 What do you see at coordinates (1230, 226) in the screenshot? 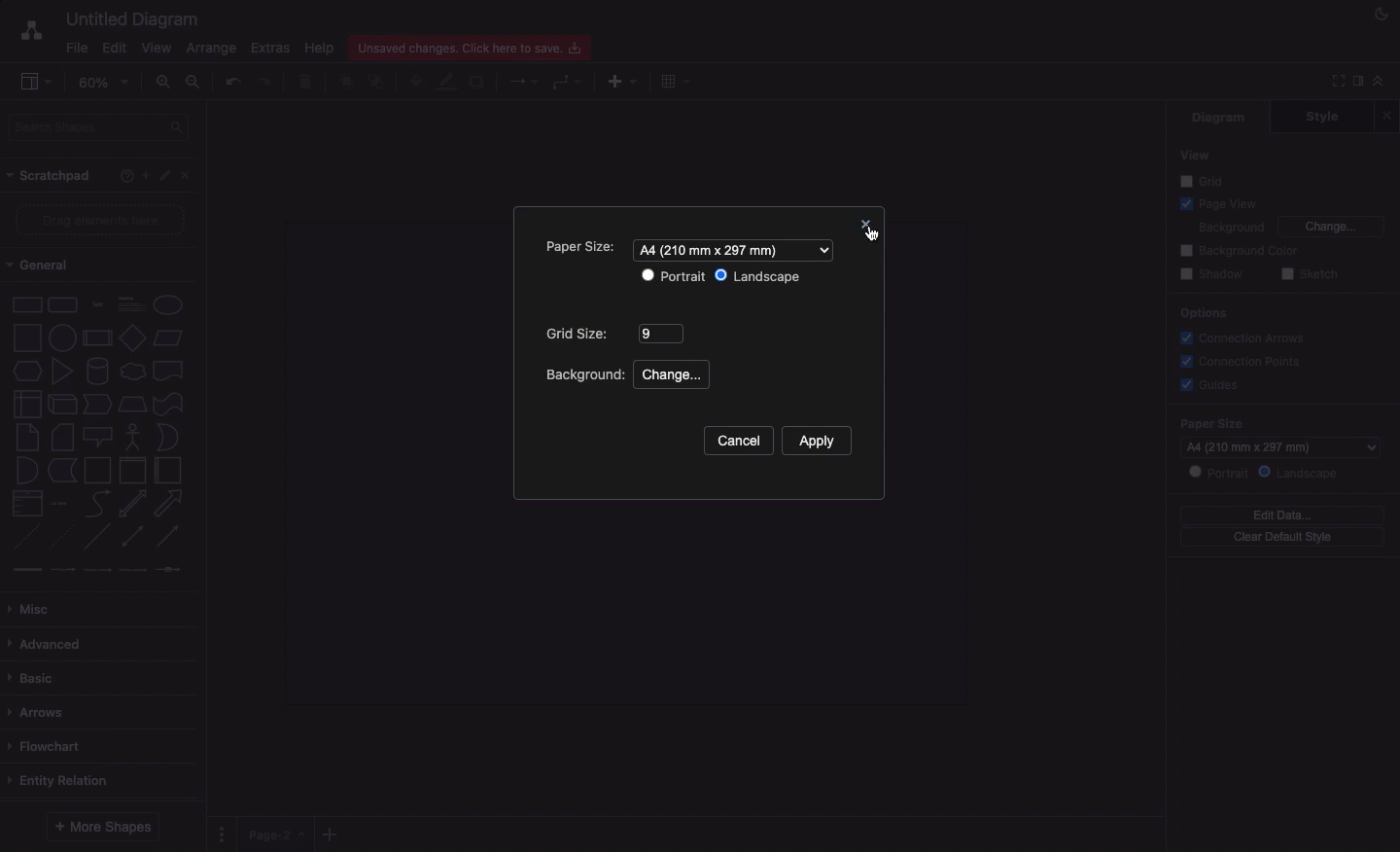
I see `Background` at bounding box center [1230, 226].